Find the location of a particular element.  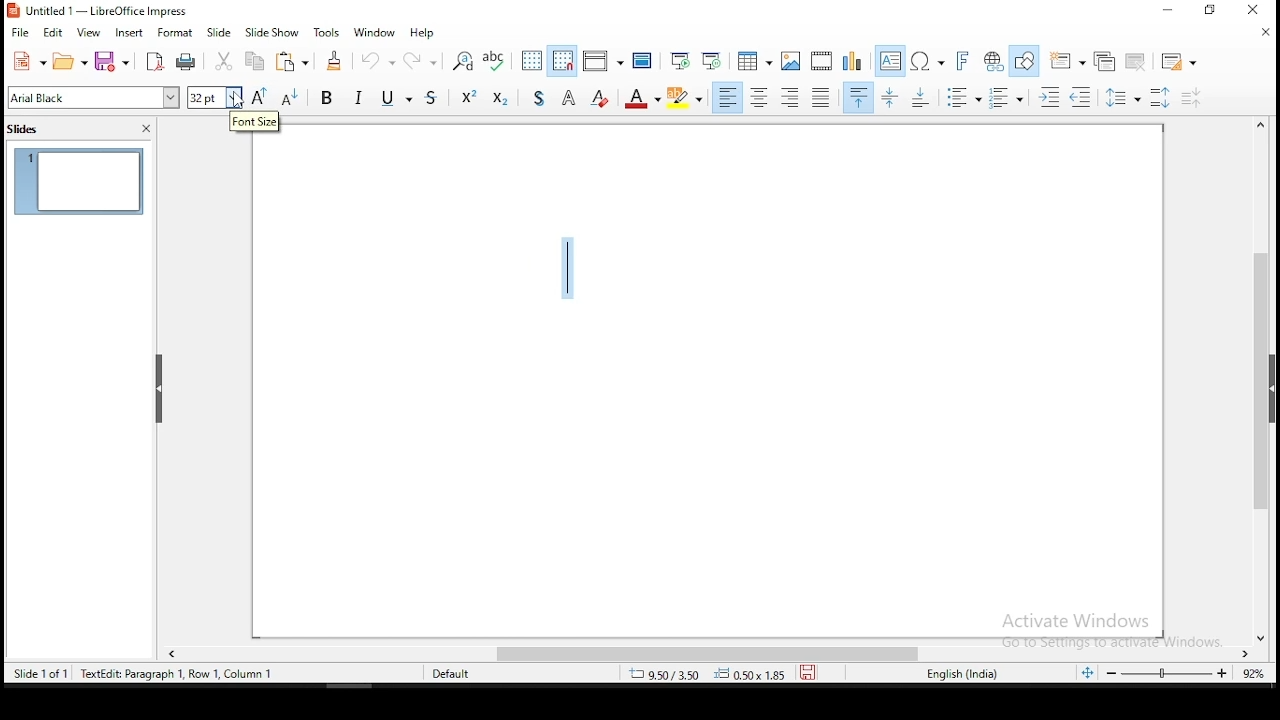

Text Cursor is located at coordinates (567, 265).